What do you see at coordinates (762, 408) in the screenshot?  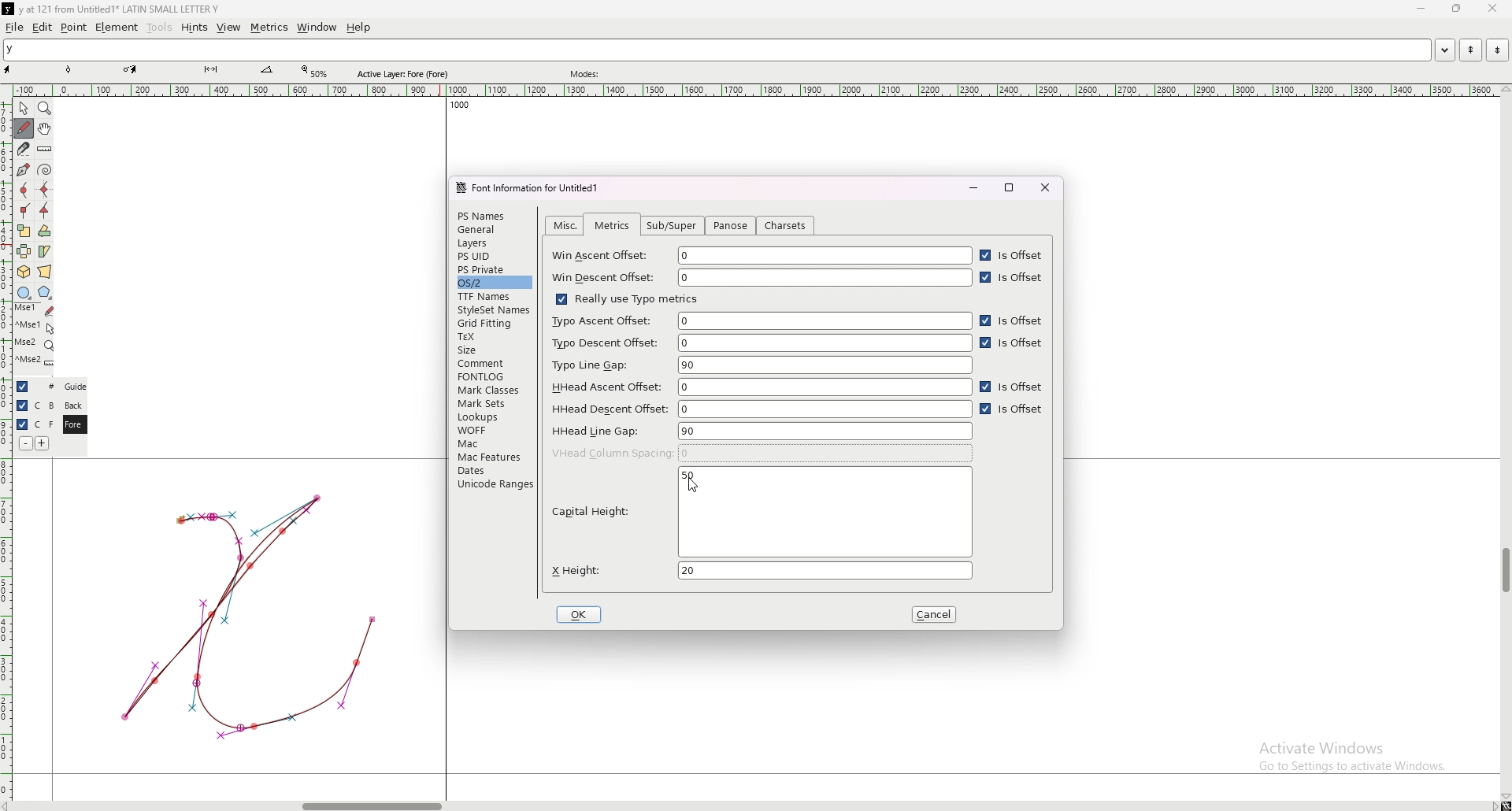 I see `hhead descent offset 0` at bounding box center [762, 408].